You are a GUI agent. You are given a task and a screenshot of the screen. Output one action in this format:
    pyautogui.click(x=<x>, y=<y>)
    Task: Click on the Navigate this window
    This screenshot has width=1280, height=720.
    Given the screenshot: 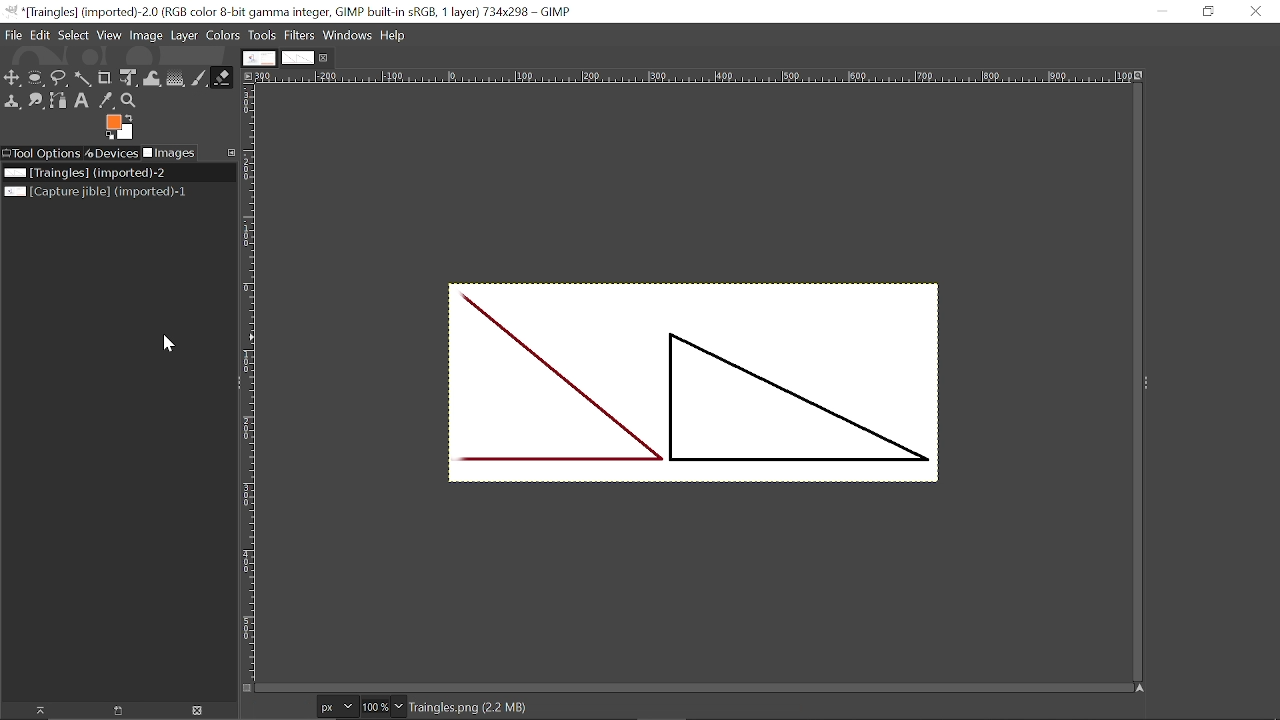 What is the action you would take?
    pyautogui.click(x=1141, y=688)
    